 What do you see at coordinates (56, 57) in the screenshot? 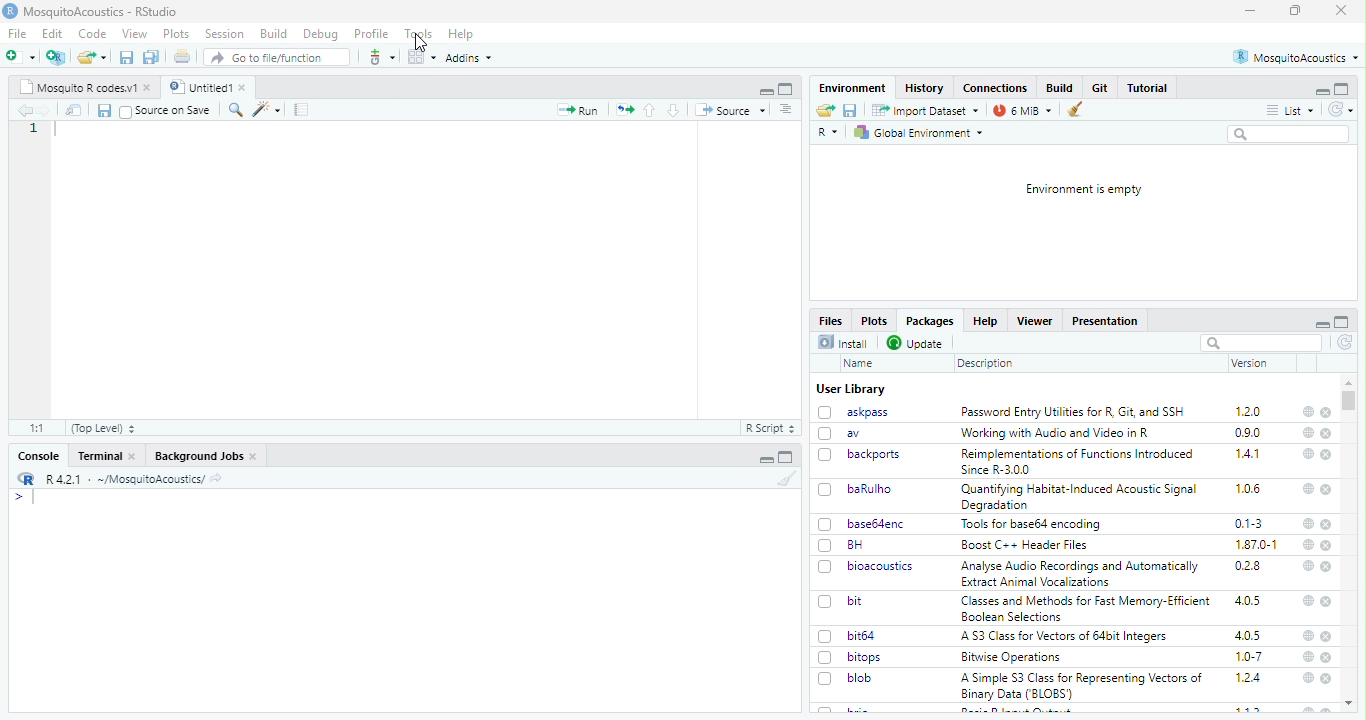
I see `add file` at bounding box center [56, 57].